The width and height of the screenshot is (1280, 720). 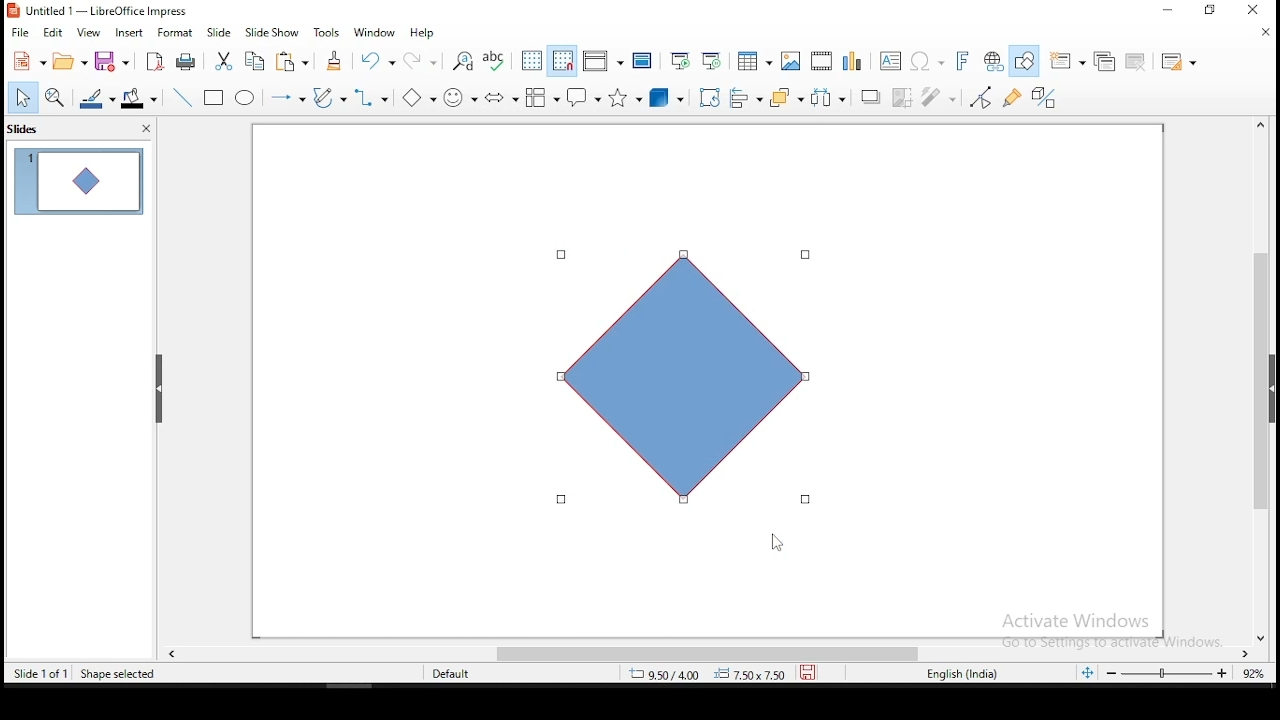 What do you see at coordinates (460, 672) in the screenshot?
I see `default` at bounding box center [460, 672].